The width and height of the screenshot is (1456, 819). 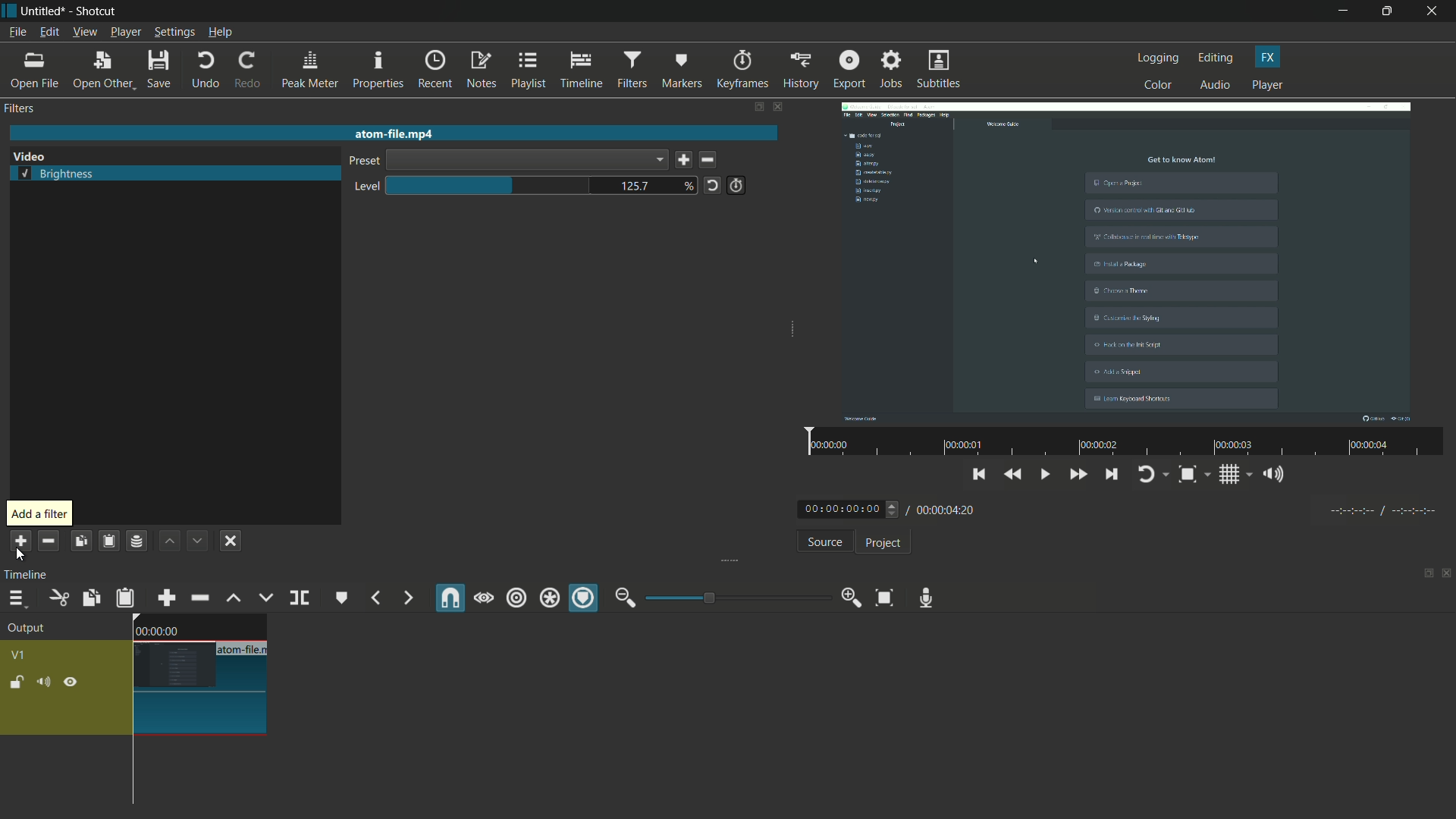 What do you see at coordinates (29, 574) in the screenshot?
I see `timeline` at bounding box center [29, 574].